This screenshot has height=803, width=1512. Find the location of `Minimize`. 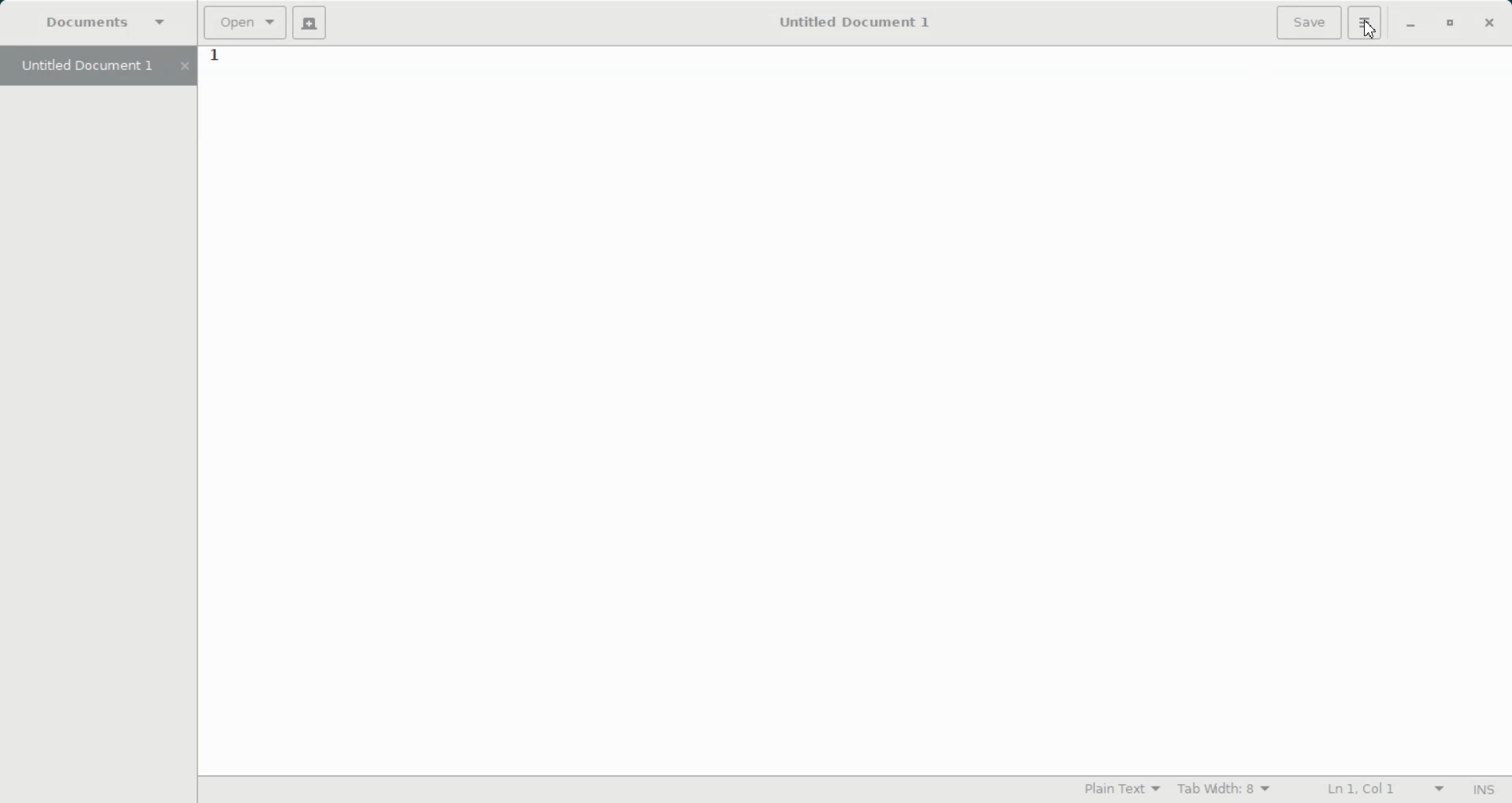

Minimize is located at coordinates (1412, 24).